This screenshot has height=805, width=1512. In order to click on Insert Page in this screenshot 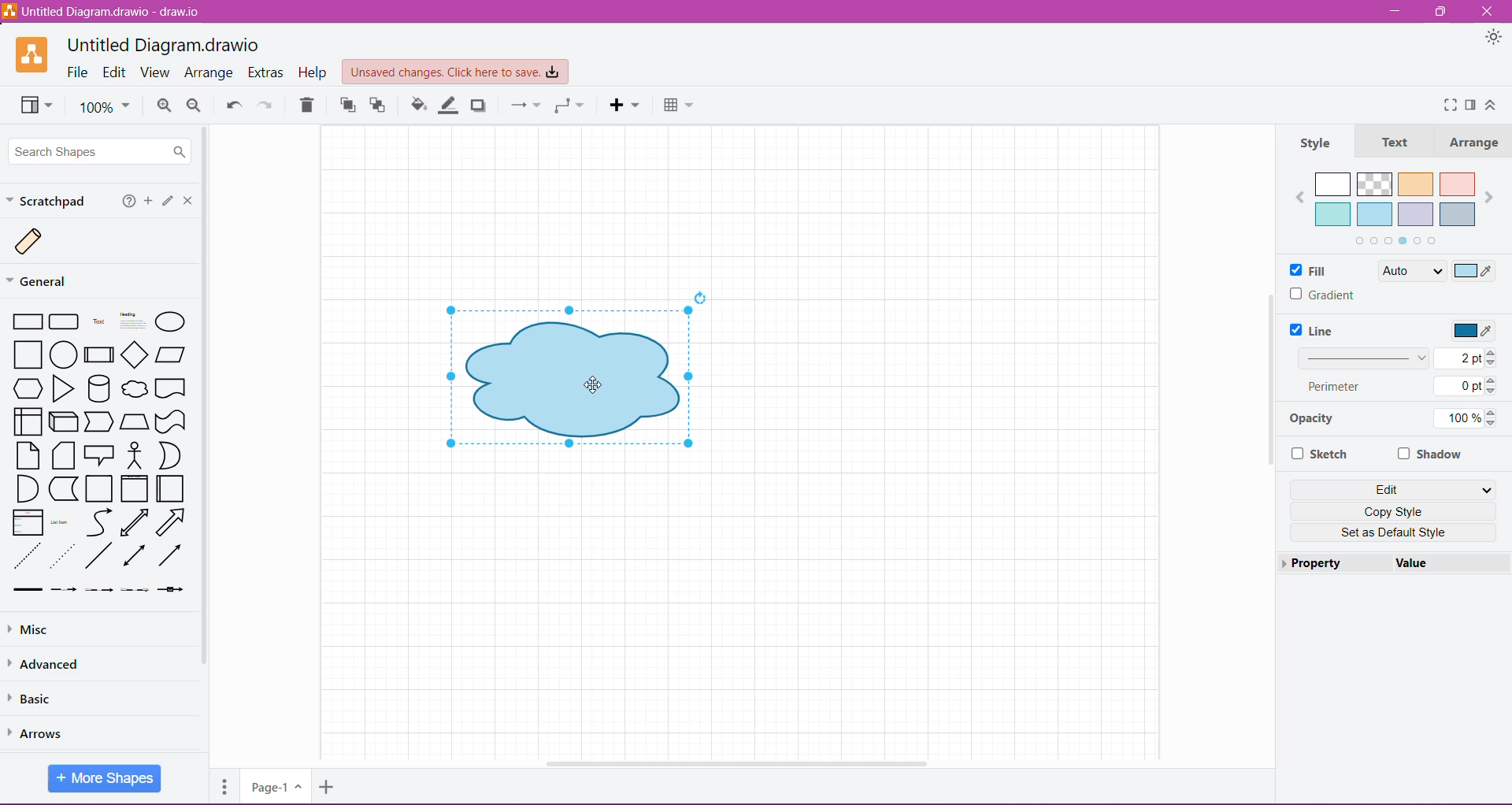, I will do `click(329, 786)`.